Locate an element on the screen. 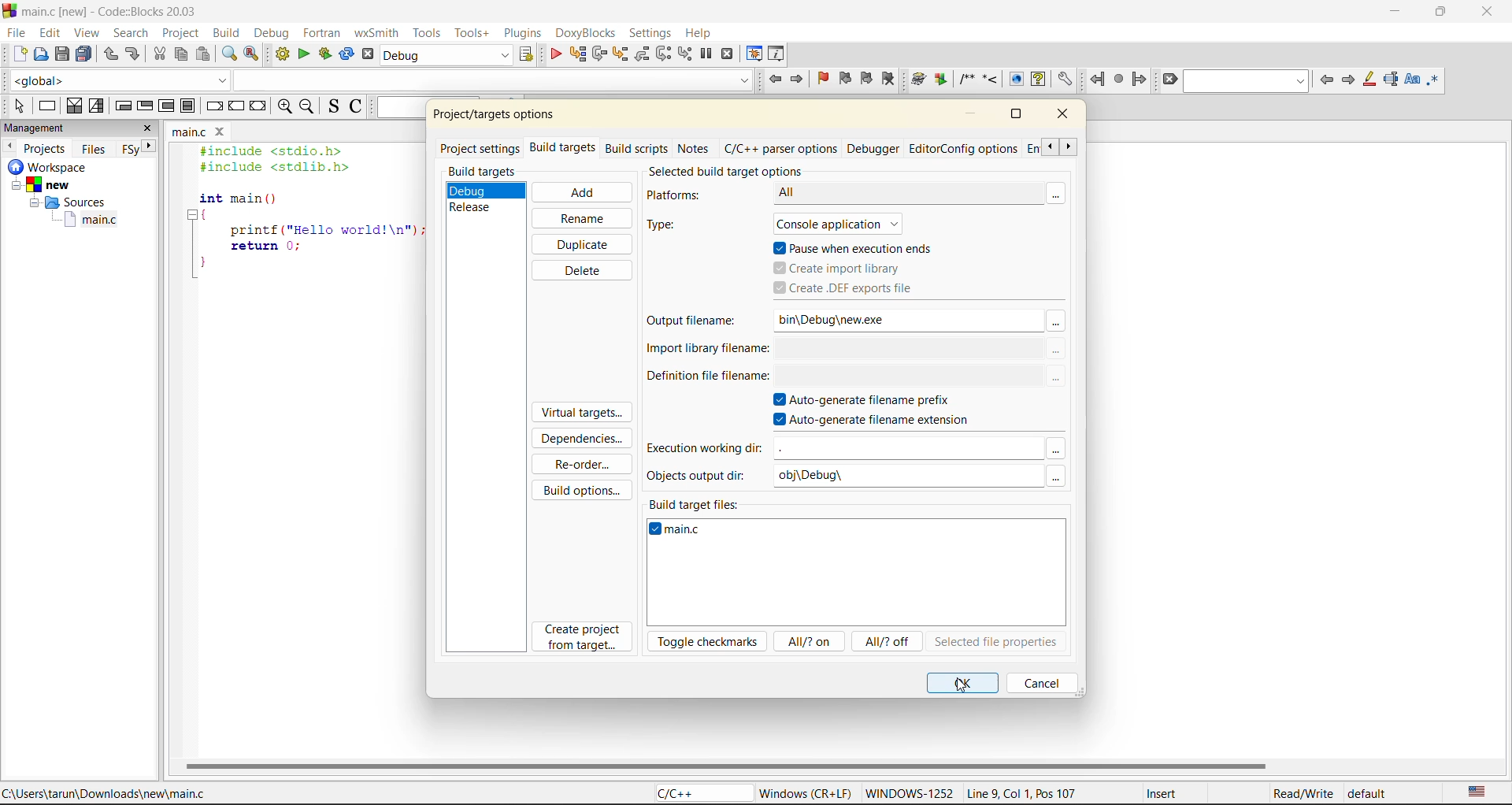  selection is located at coordinates (98, 106).